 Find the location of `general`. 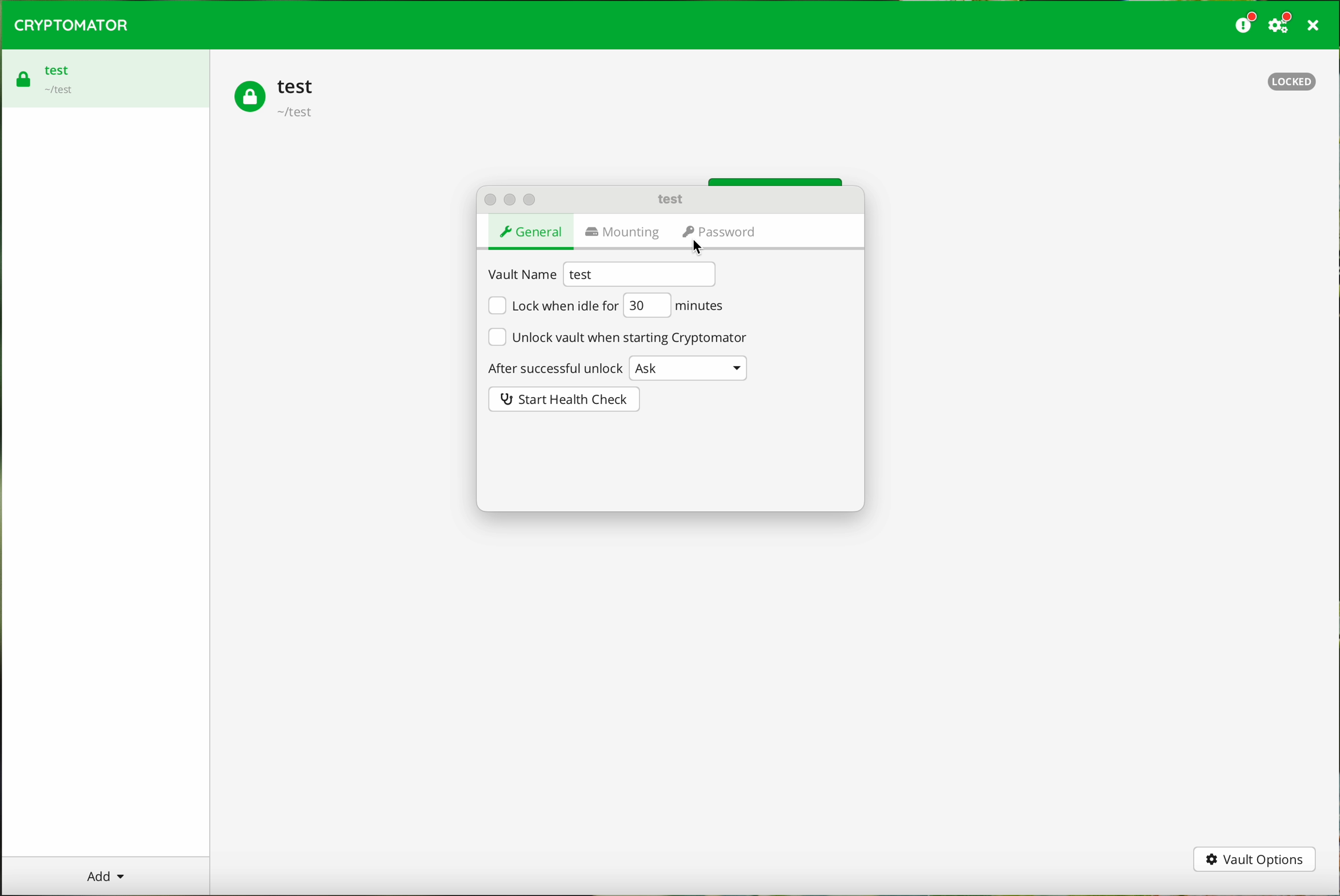

general is located at coordinates (533, 234).